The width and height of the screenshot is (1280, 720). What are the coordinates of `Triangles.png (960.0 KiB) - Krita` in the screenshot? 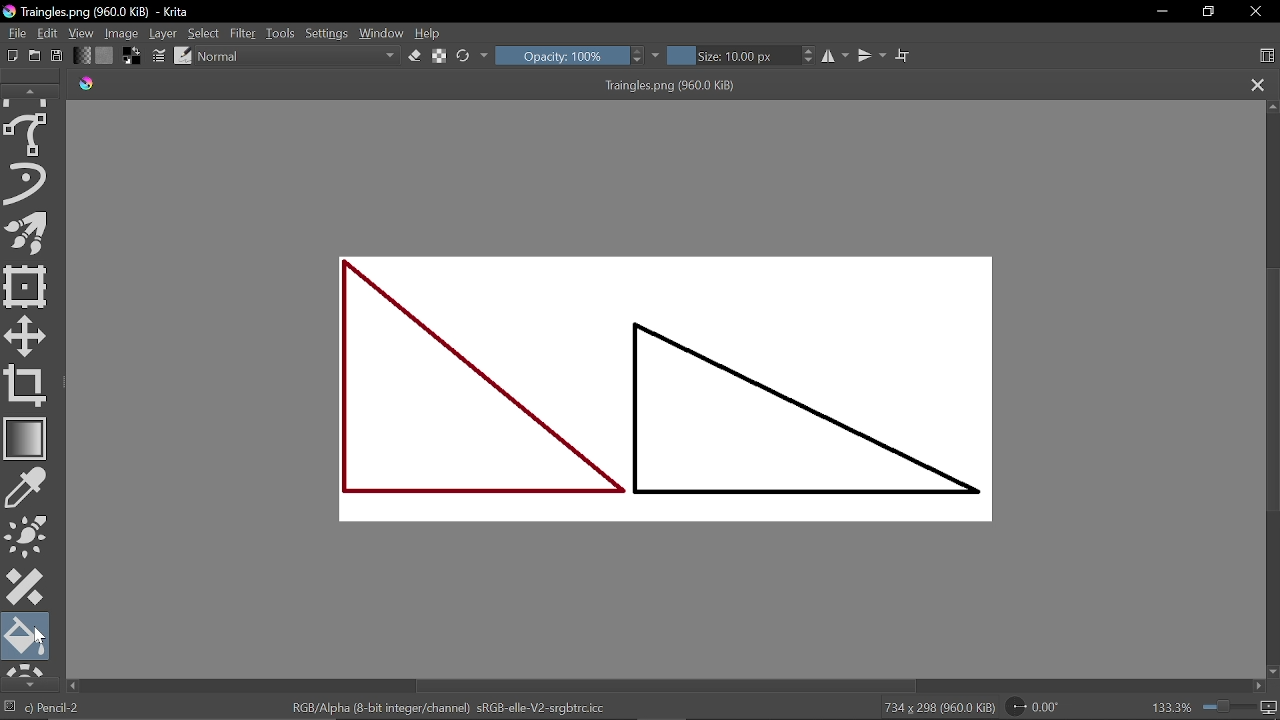 It's located at (127, 12).